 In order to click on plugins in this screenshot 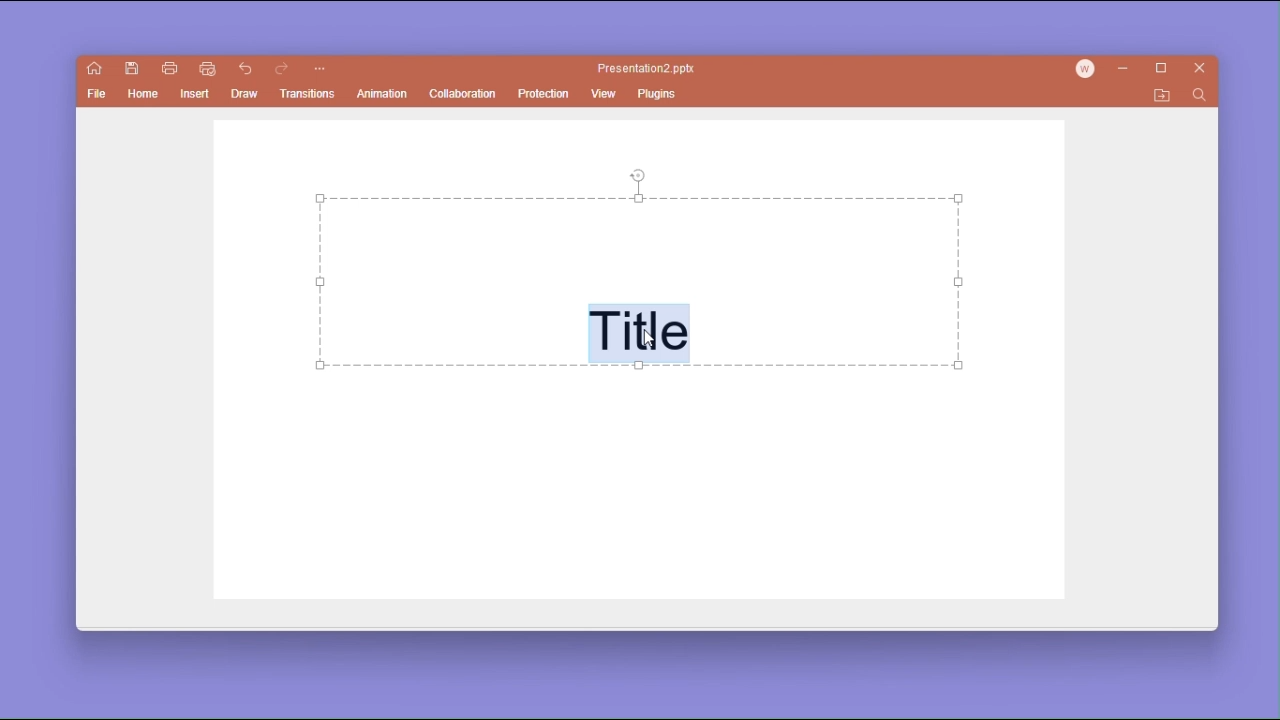, I will do `click(659, 93)`.